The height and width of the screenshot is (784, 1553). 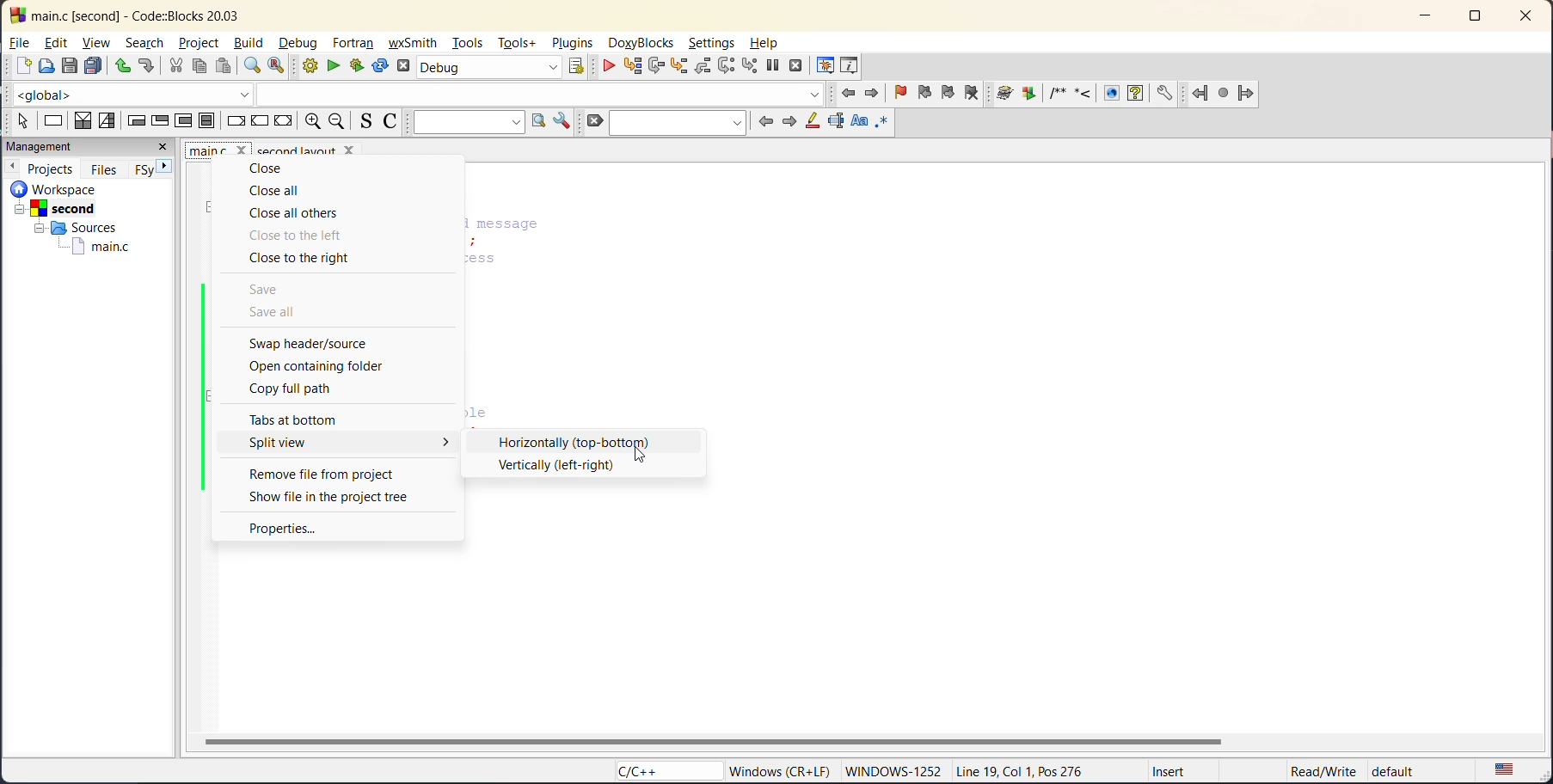 What do you see at coordinates (632, 66) in the screenshot?
I see `run to cursor` at bounding box center [632, 66].